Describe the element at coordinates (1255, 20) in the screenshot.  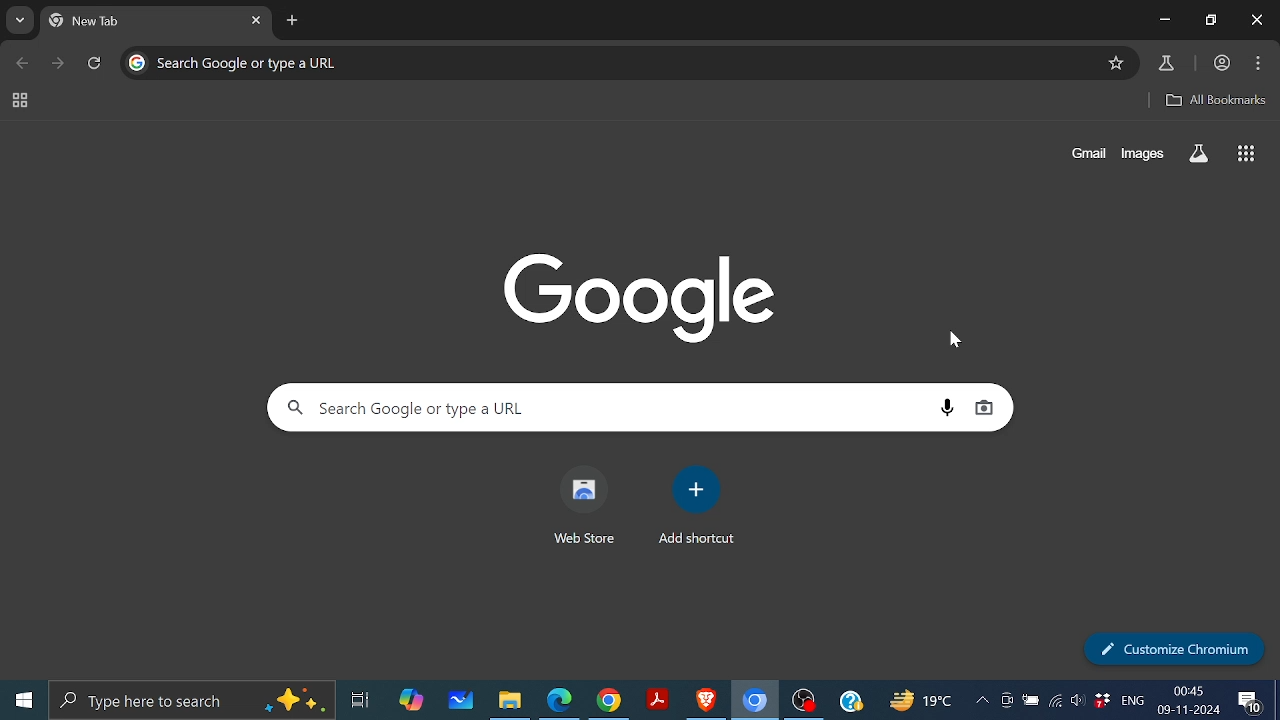
I see `Close window` at that location.